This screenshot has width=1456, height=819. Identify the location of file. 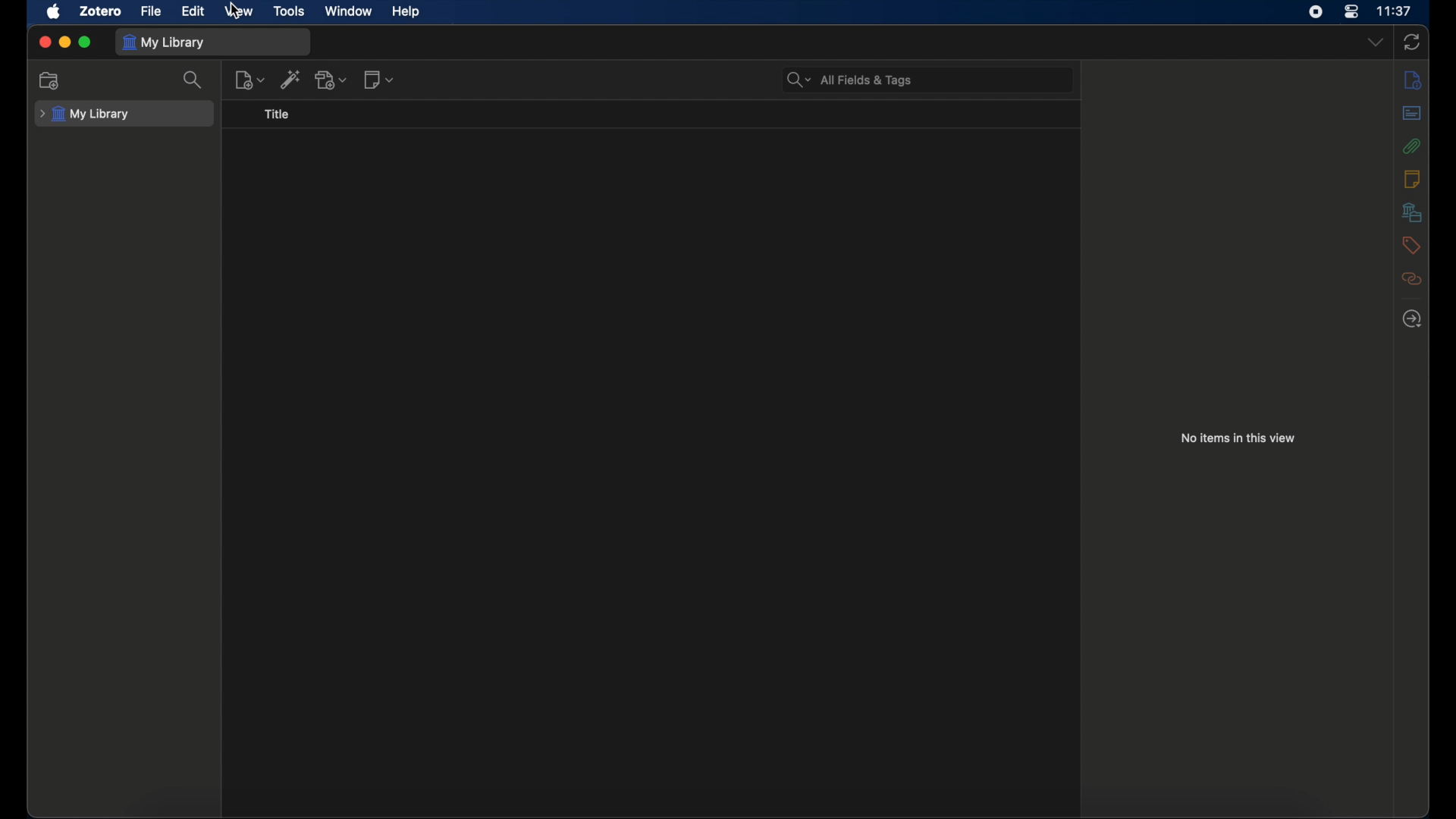
(152, 11).